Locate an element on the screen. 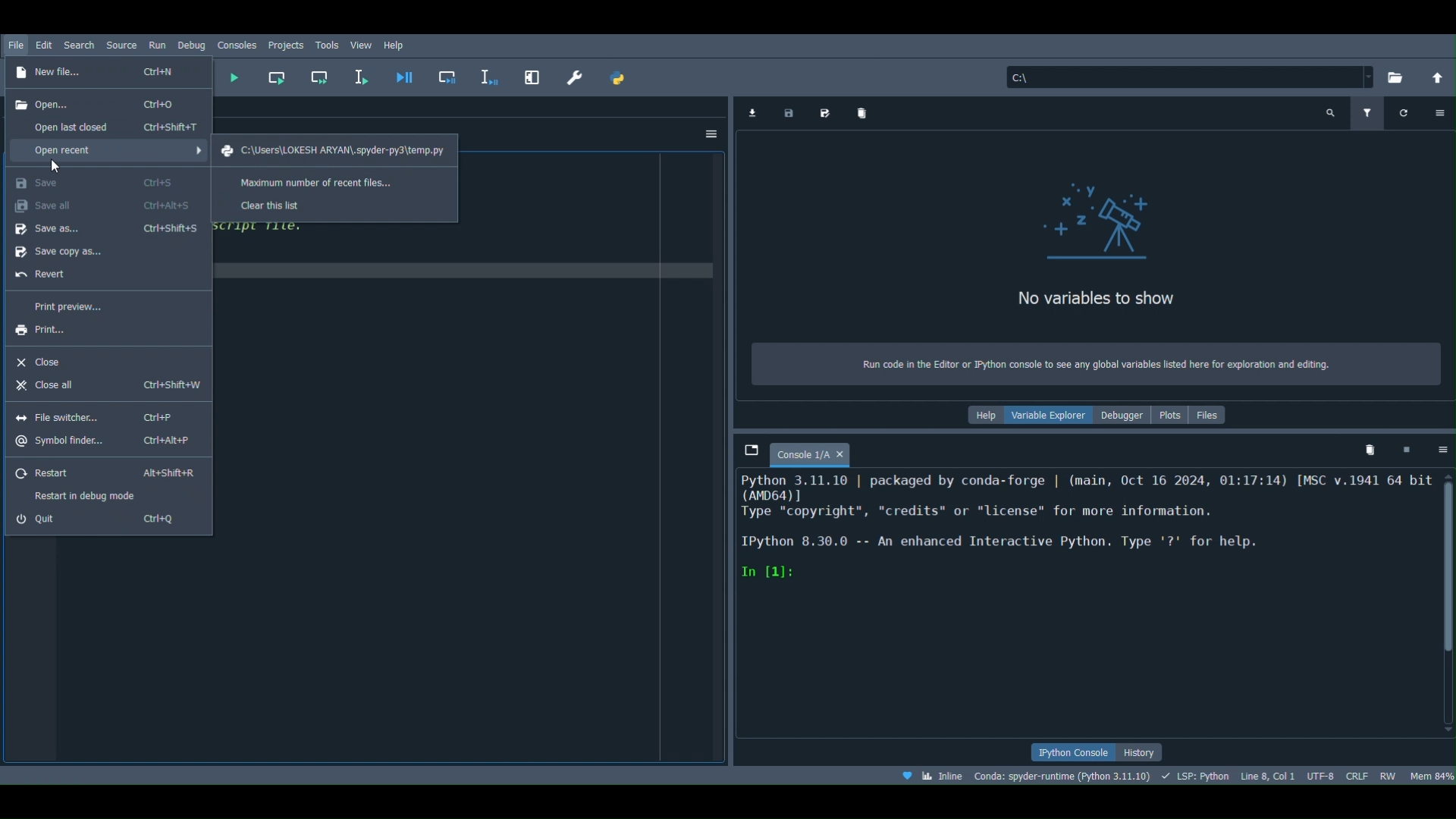  File is located at coordinates (17, 47).